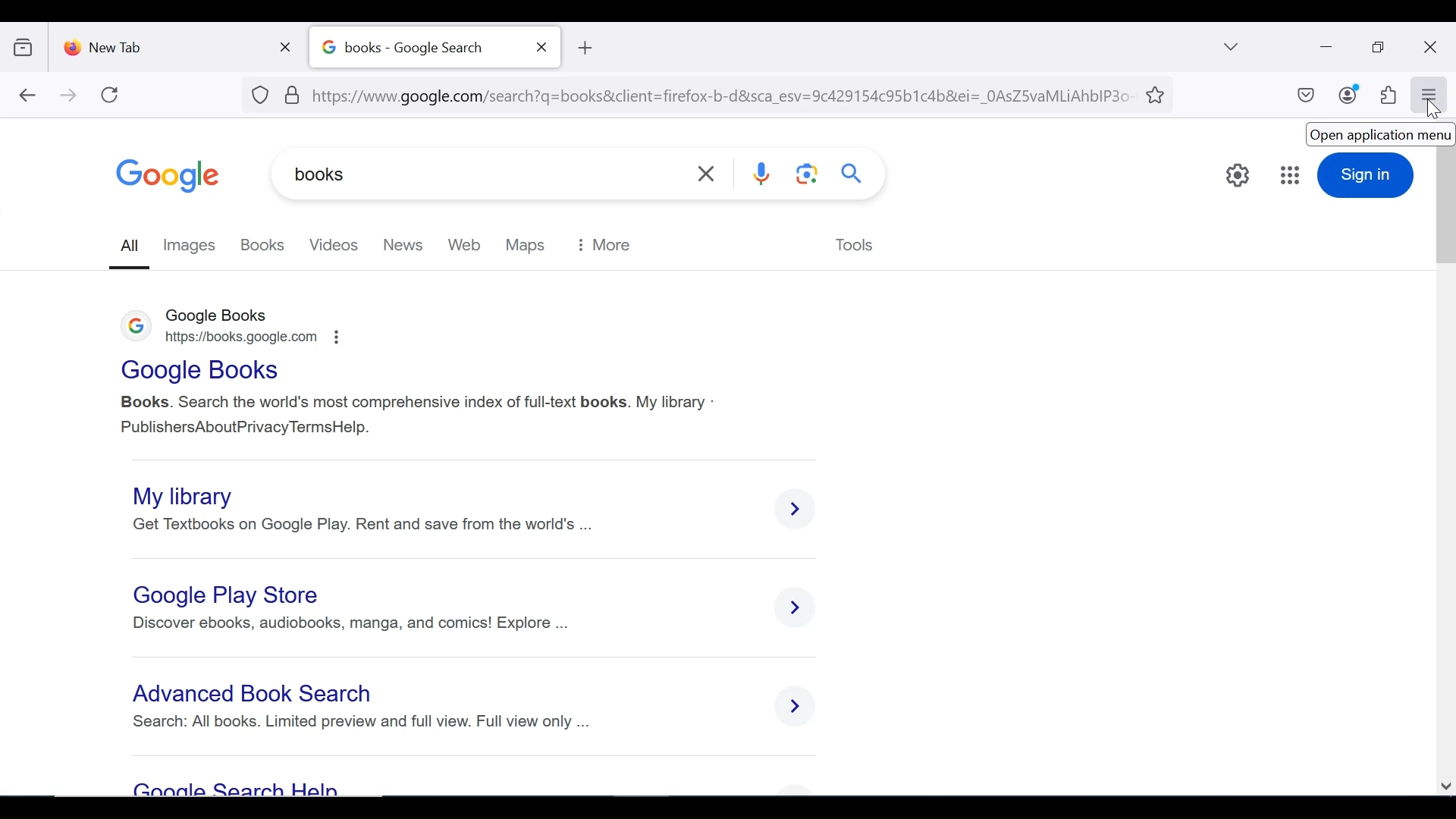 The image size is (1456, 819). I want to click on new tB, so click(584, 48).